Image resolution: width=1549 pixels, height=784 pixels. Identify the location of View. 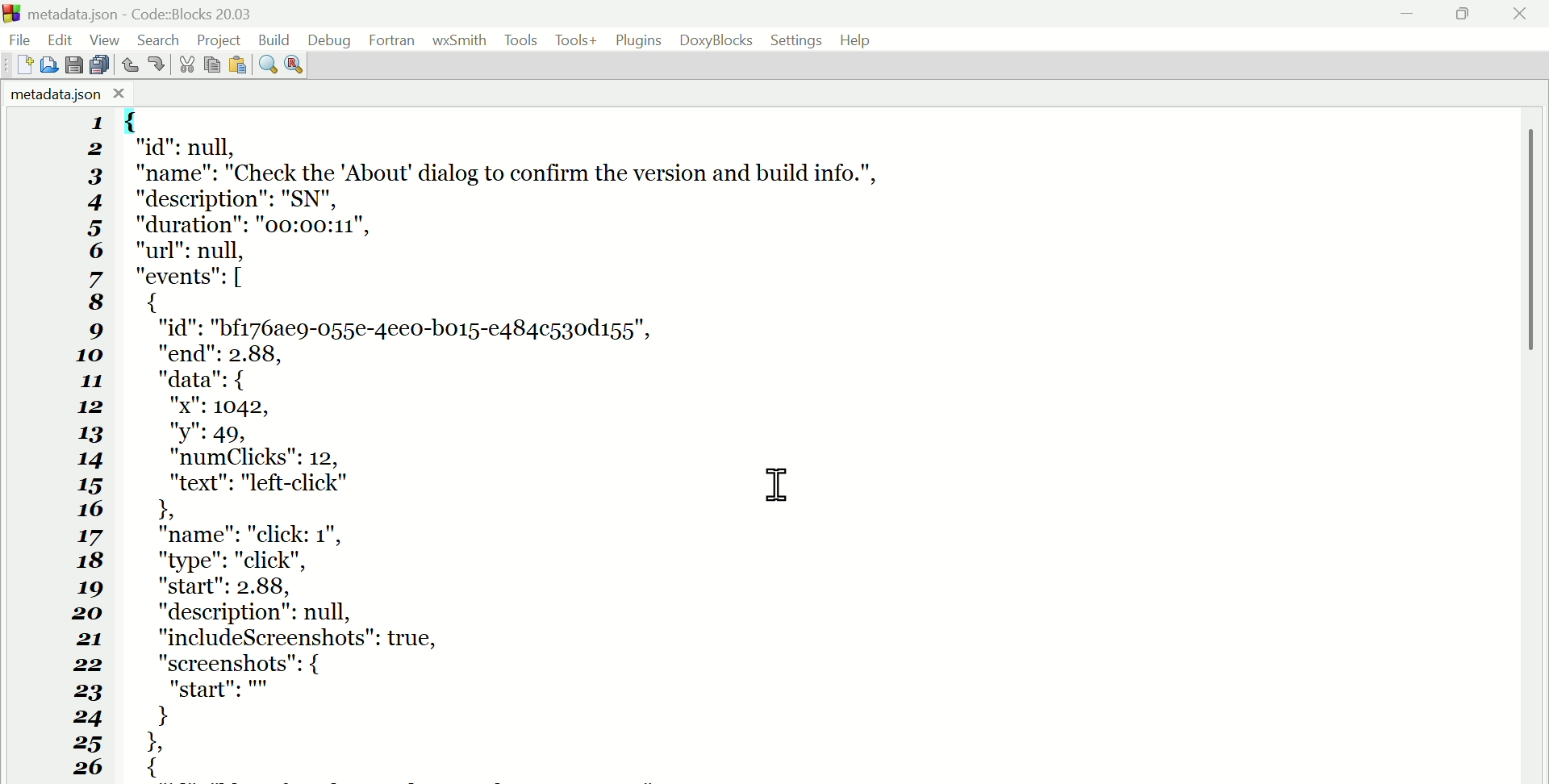
(107, 39).